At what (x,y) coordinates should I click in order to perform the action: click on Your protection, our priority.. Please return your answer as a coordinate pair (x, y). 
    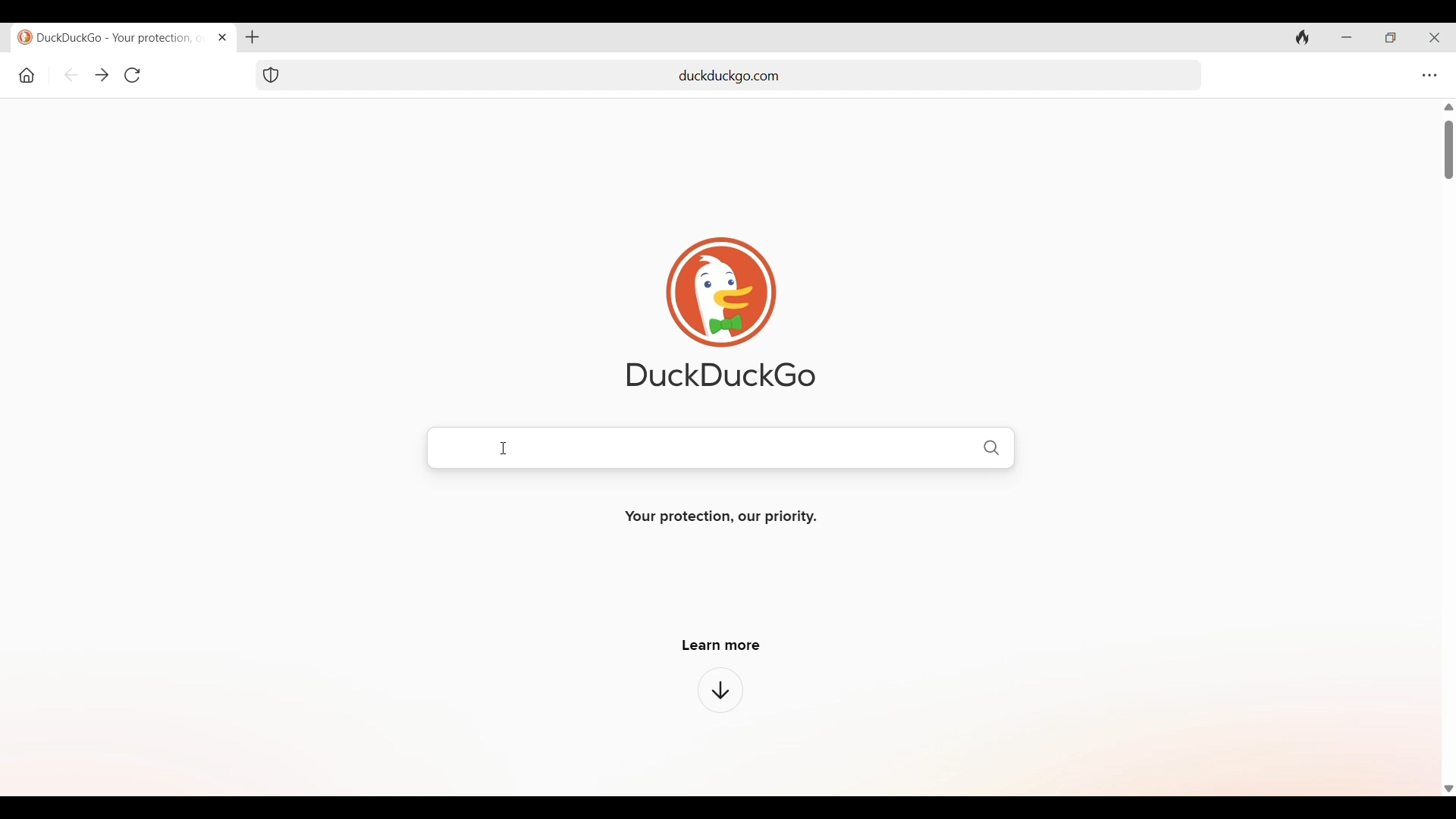
    Looking at the image, I should click on (719, 517).